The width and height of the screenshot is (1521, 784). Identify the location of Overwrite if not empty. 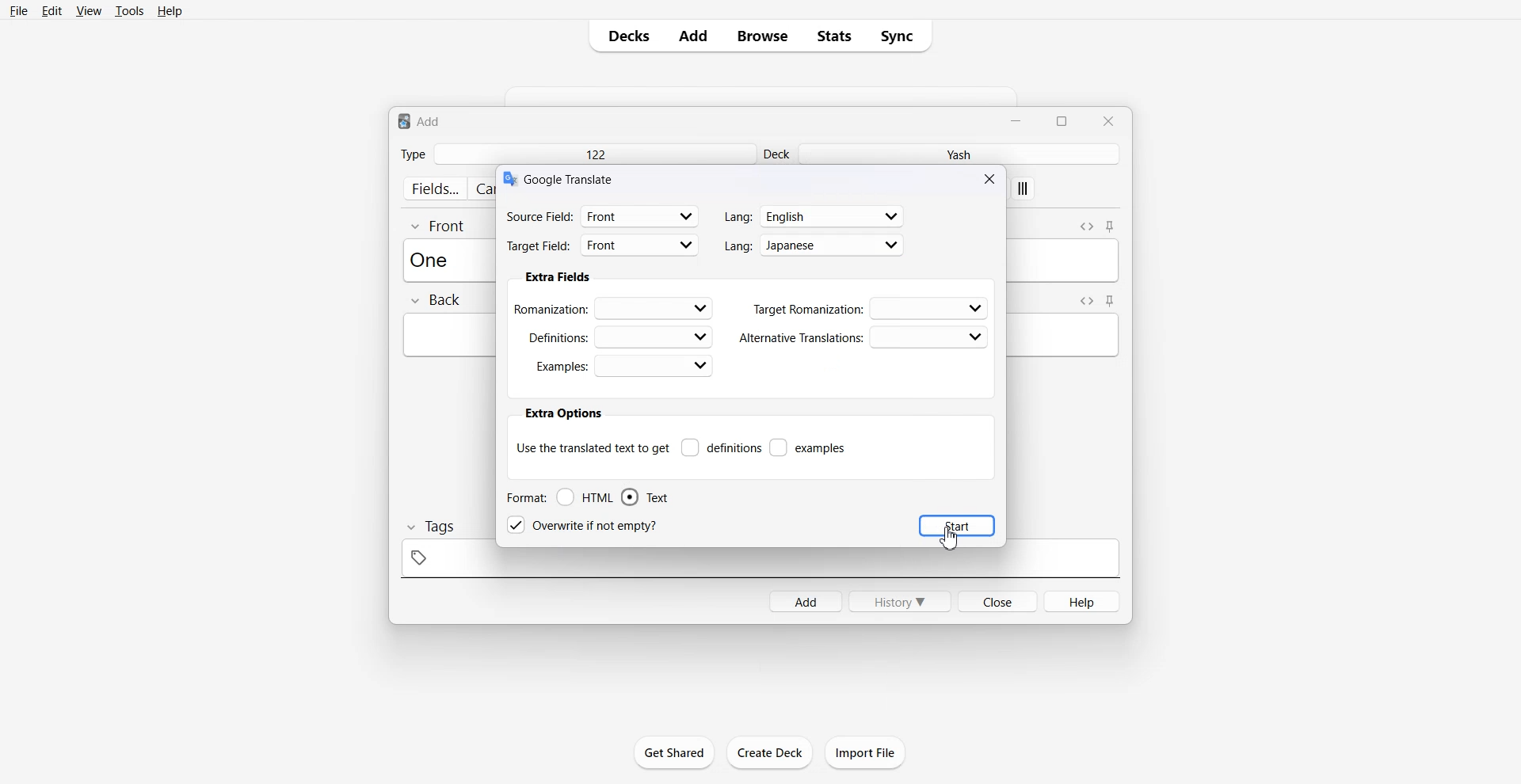
(588, 526).